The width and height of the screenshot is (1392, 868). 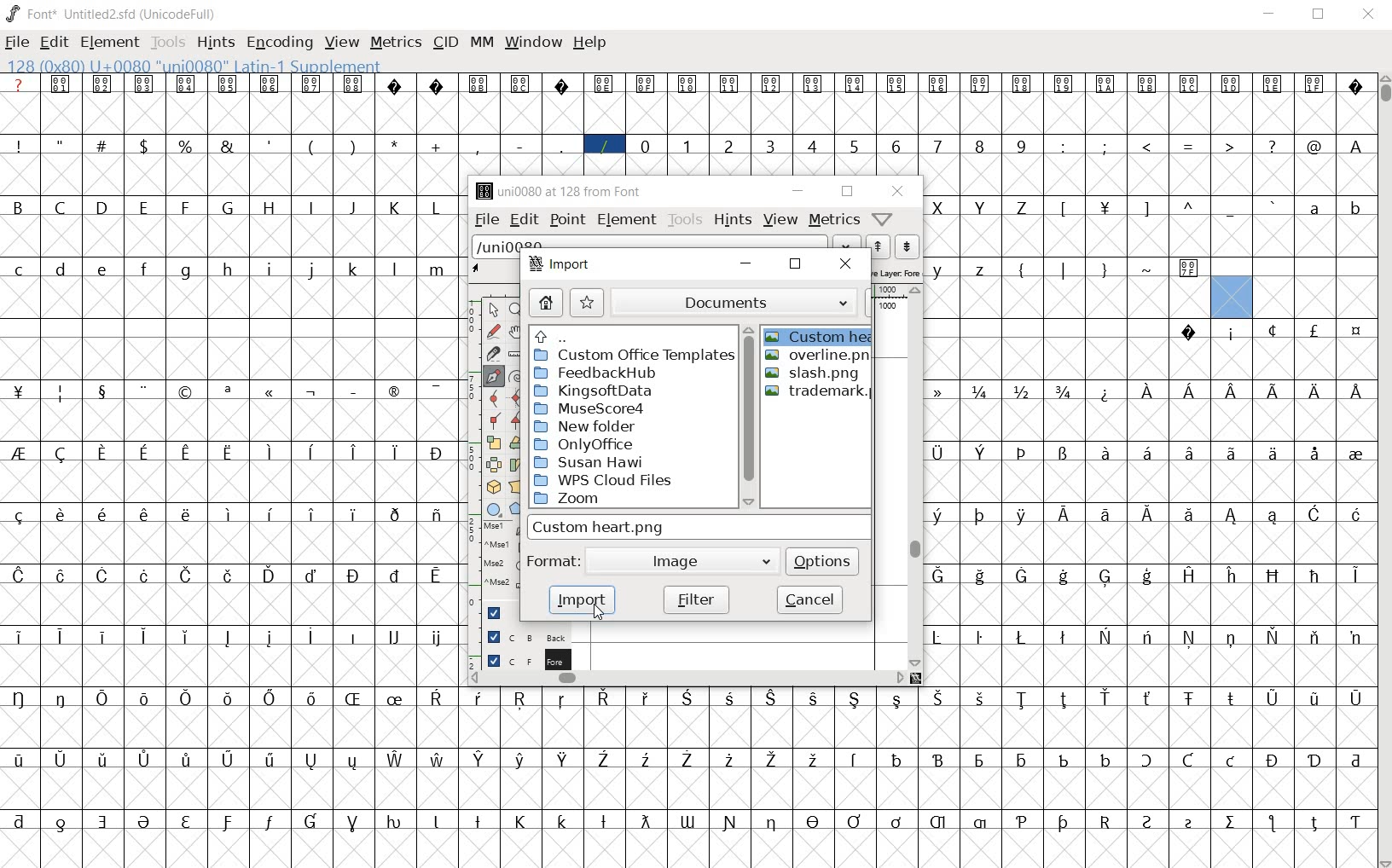 What do you see at coordinates (979, 146) in the screenshot?
I see `glyph` at bounding box center [979, 146].